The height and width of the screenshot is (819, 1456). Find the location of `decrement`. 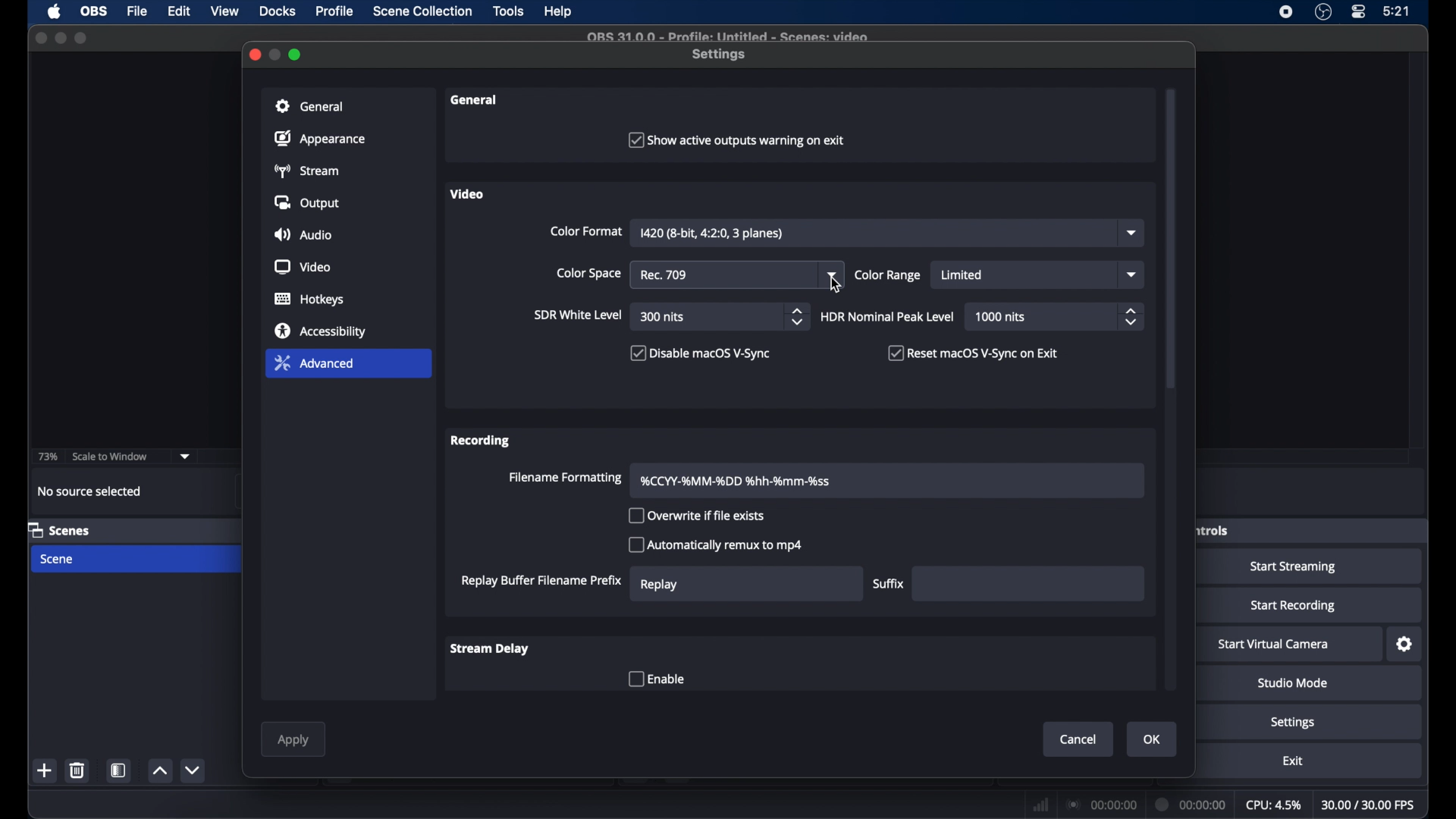

decrement is located at coordinates (195, 770).